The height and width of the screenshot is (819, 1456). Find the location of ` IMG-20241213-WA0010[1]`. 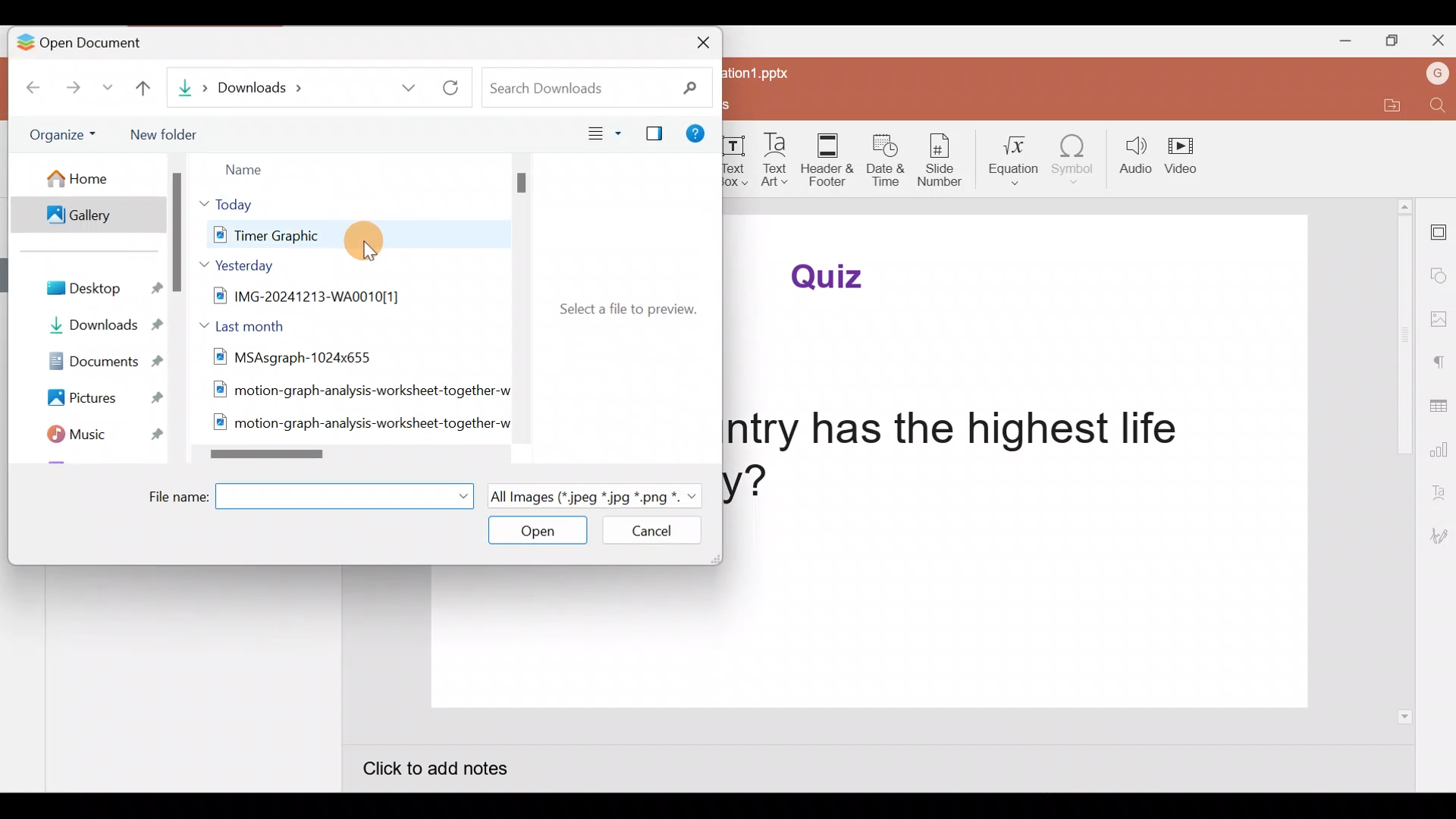

 IMG-20241213-WA0010[1] is located at coordinates (345, 296).